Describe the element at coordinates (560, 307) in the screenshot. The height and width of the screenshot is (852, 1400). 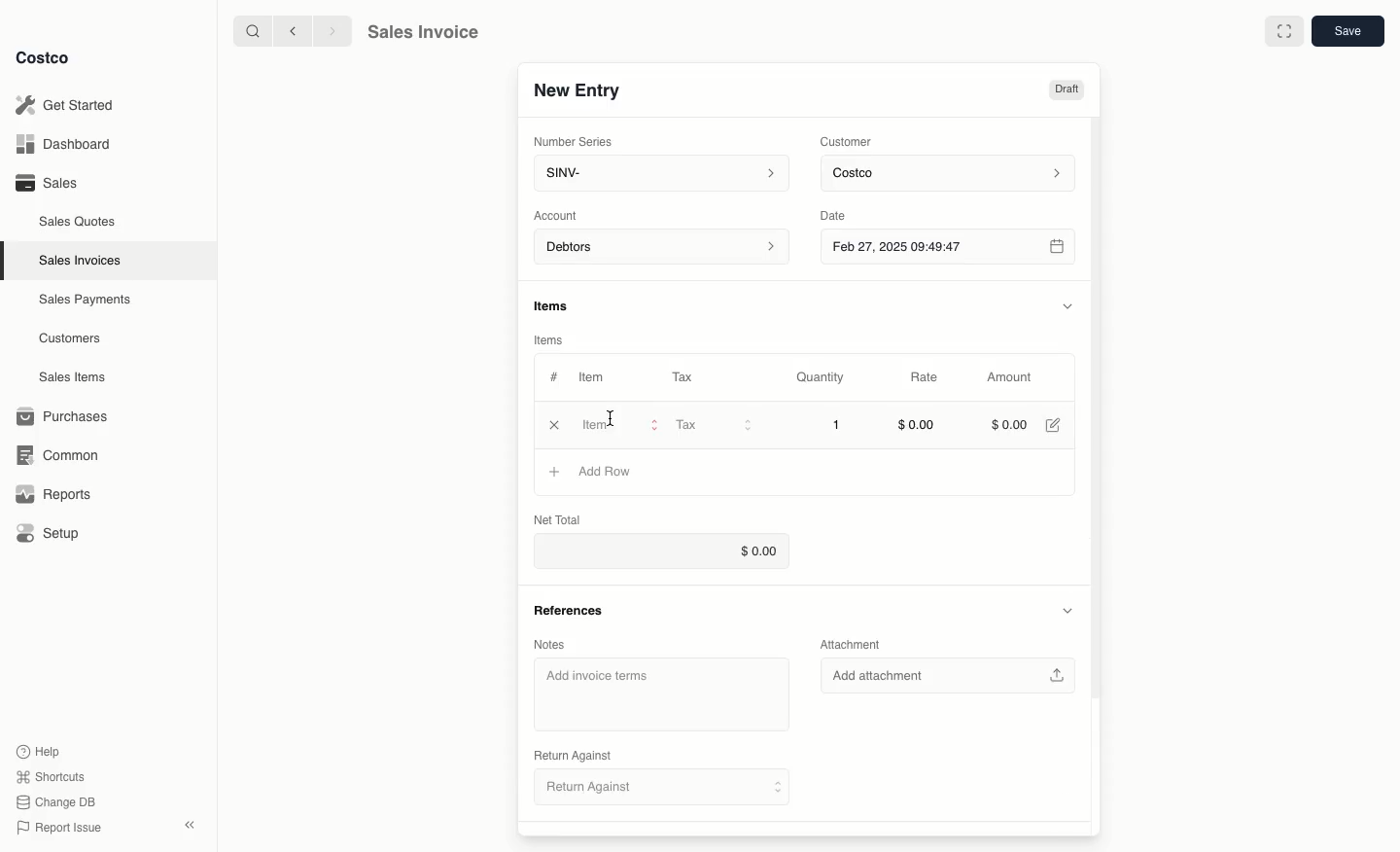
I see `Items` at that location.